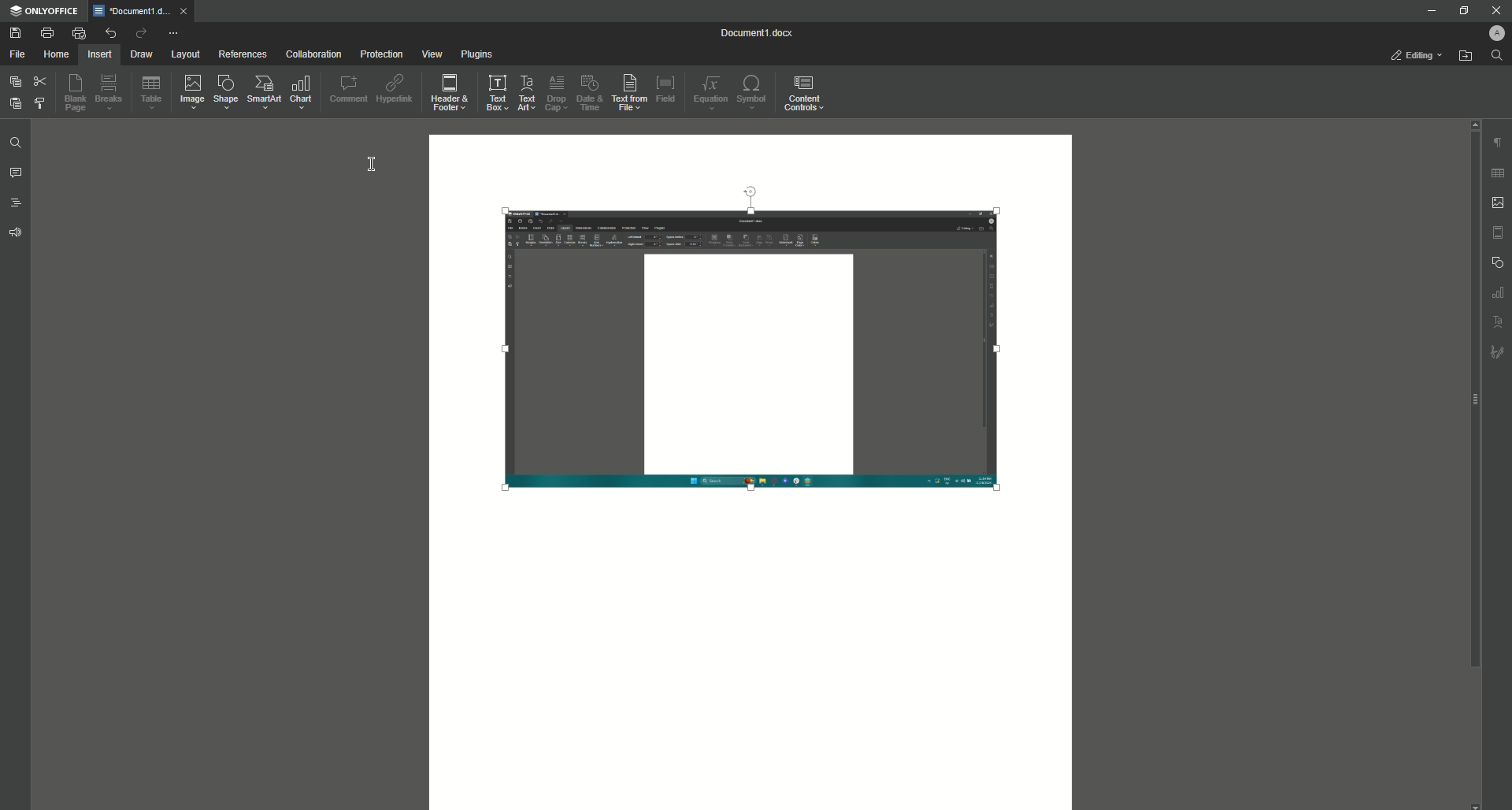 Image resolution: width=1512 pixels, height=810 pixels. Describe the element at coordinates (151, 92) in the screenshot. I see `Table` at that location.